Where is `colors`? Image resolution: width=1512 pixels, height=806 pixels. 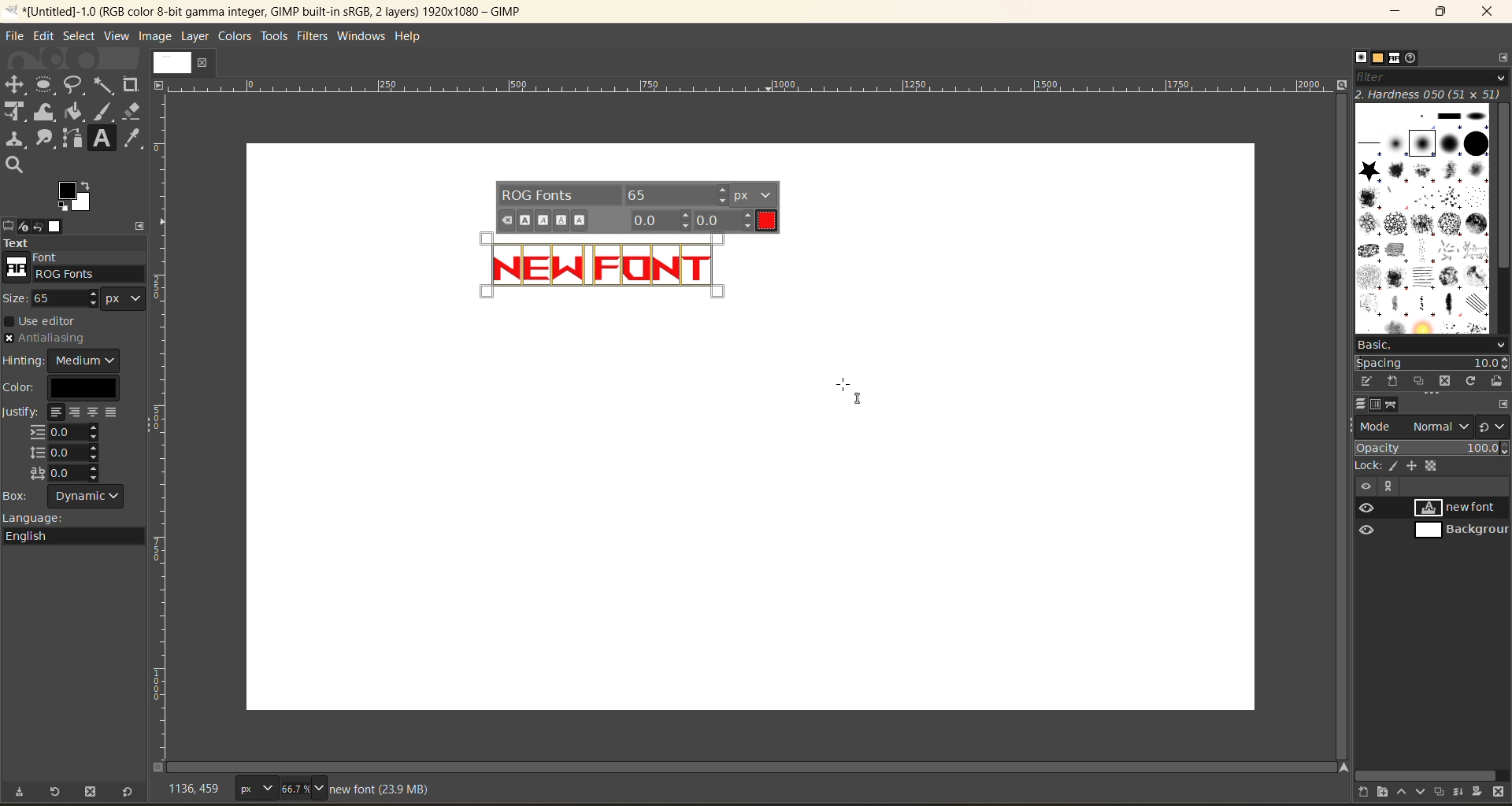 colors is located at coordinates (232, 36).